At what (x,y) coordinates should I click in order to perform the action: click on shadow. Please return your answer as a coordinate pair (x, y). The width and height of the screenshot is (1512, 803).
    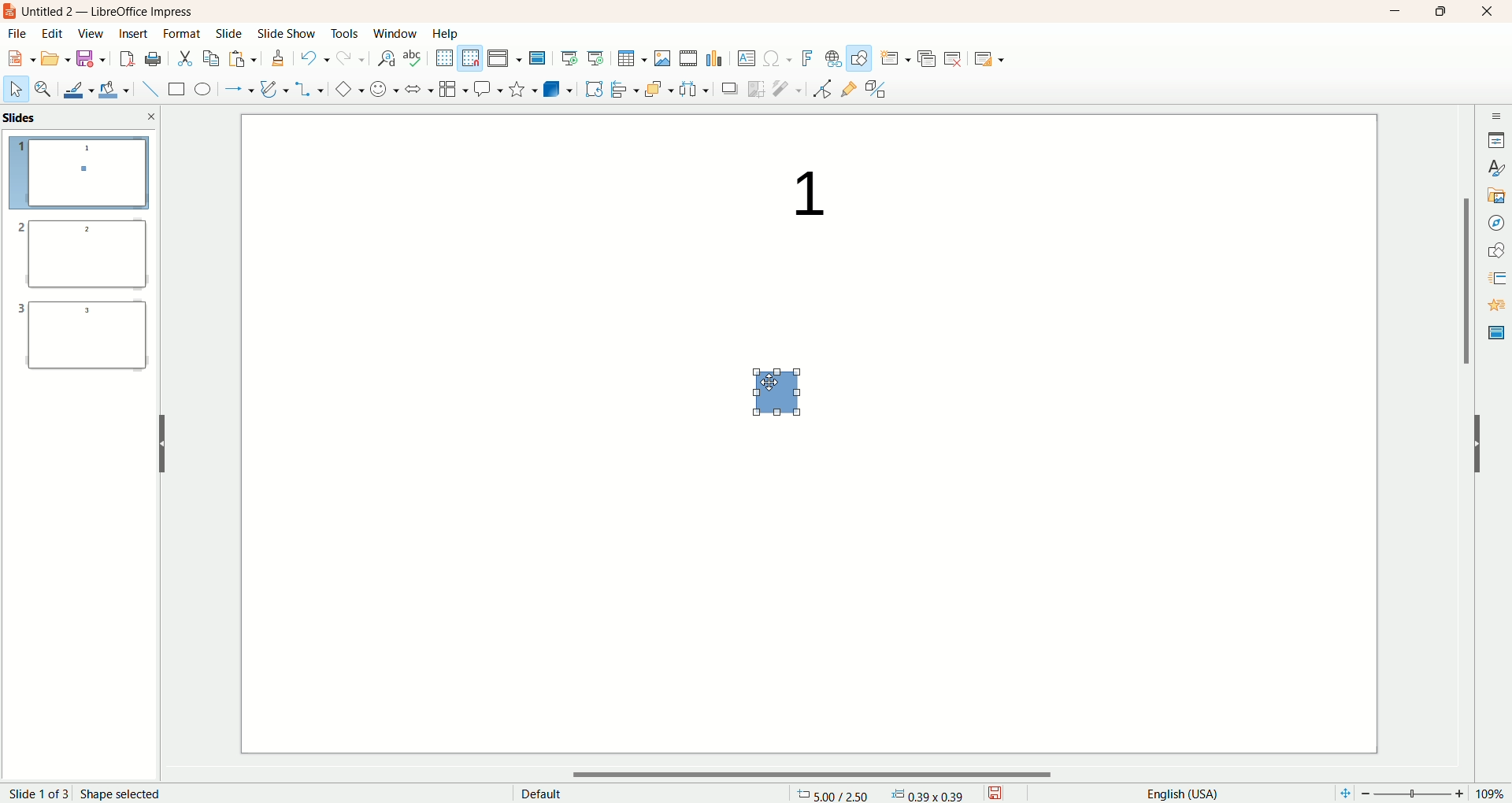
    Looking at the image, I should click on (732, 90).